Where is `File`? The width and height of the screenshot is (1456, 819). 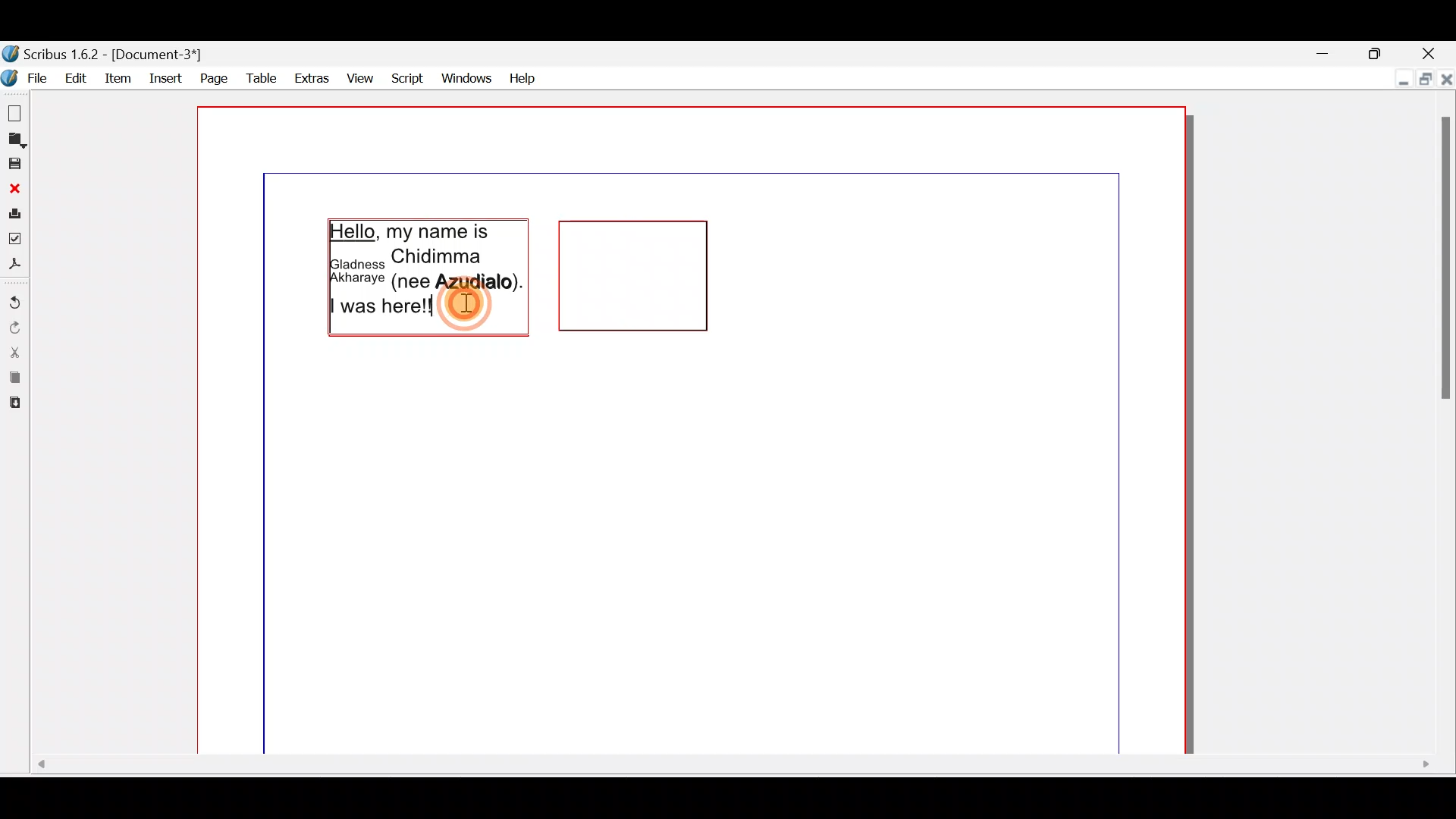 File is located at coordinates (27, 76).